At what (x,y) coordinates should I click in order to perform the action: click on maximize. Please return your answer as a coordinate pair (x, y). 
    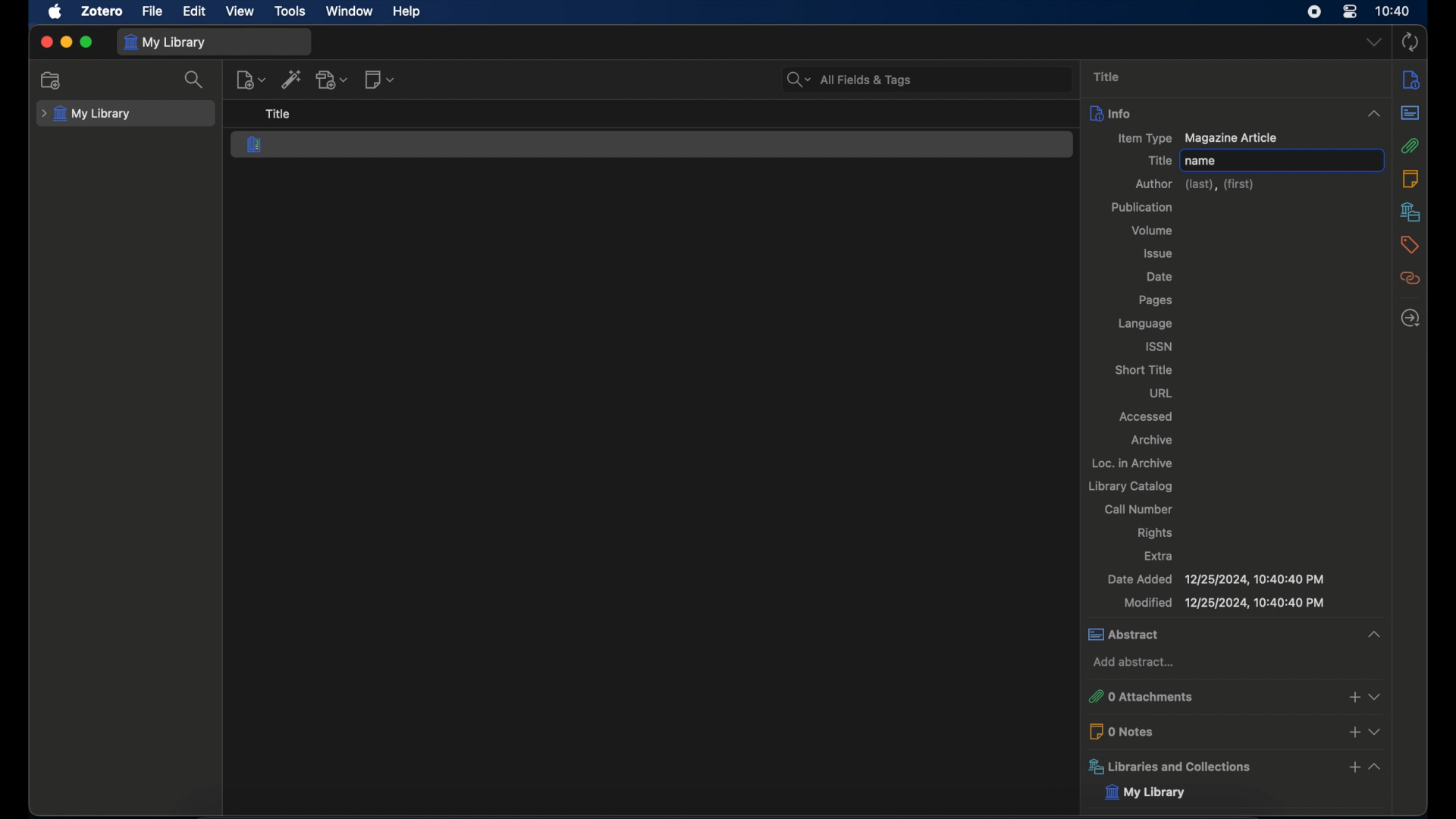
    Looking at the image, I should click on (86, 42).